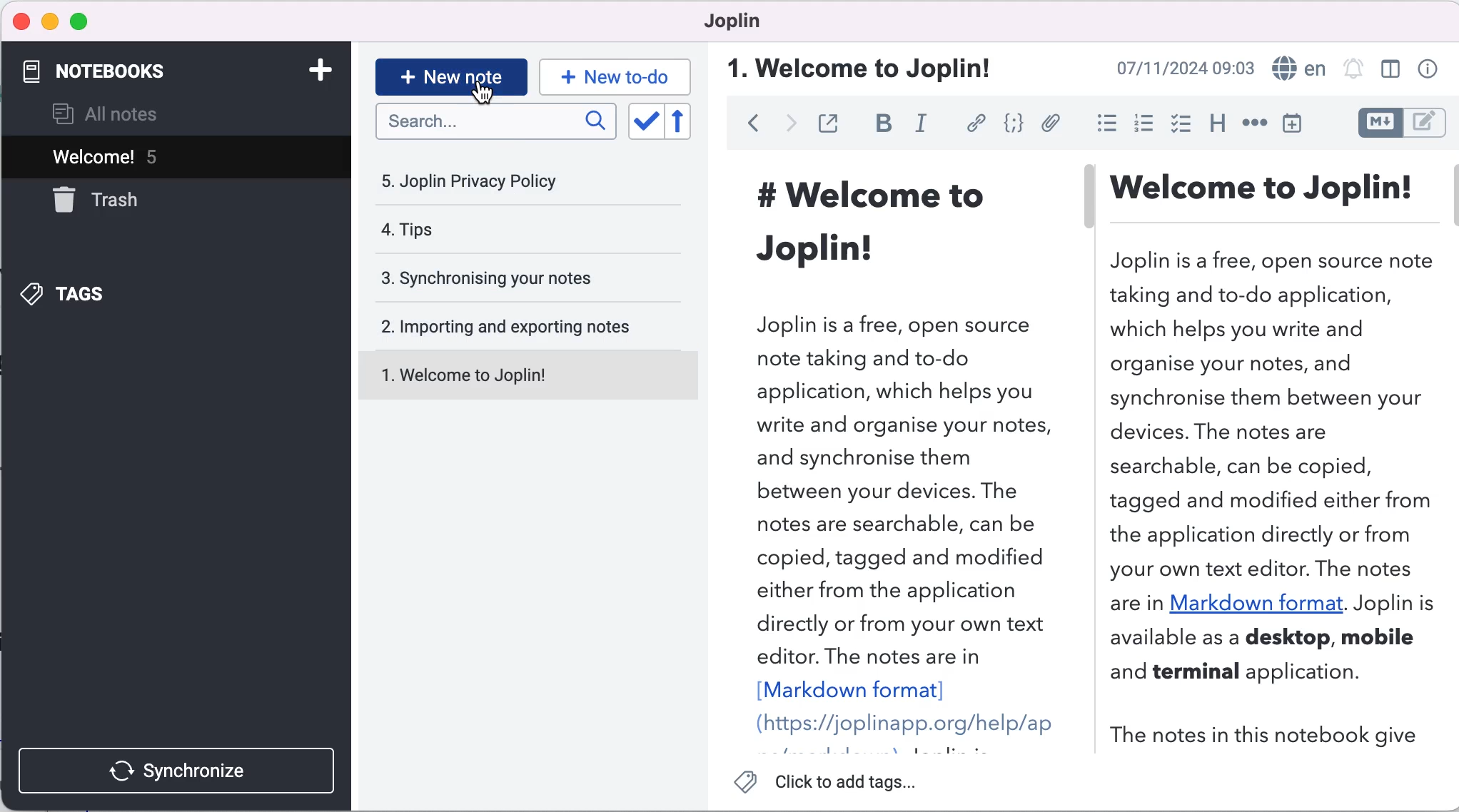  I want to click on joplin, so click(739, 25).